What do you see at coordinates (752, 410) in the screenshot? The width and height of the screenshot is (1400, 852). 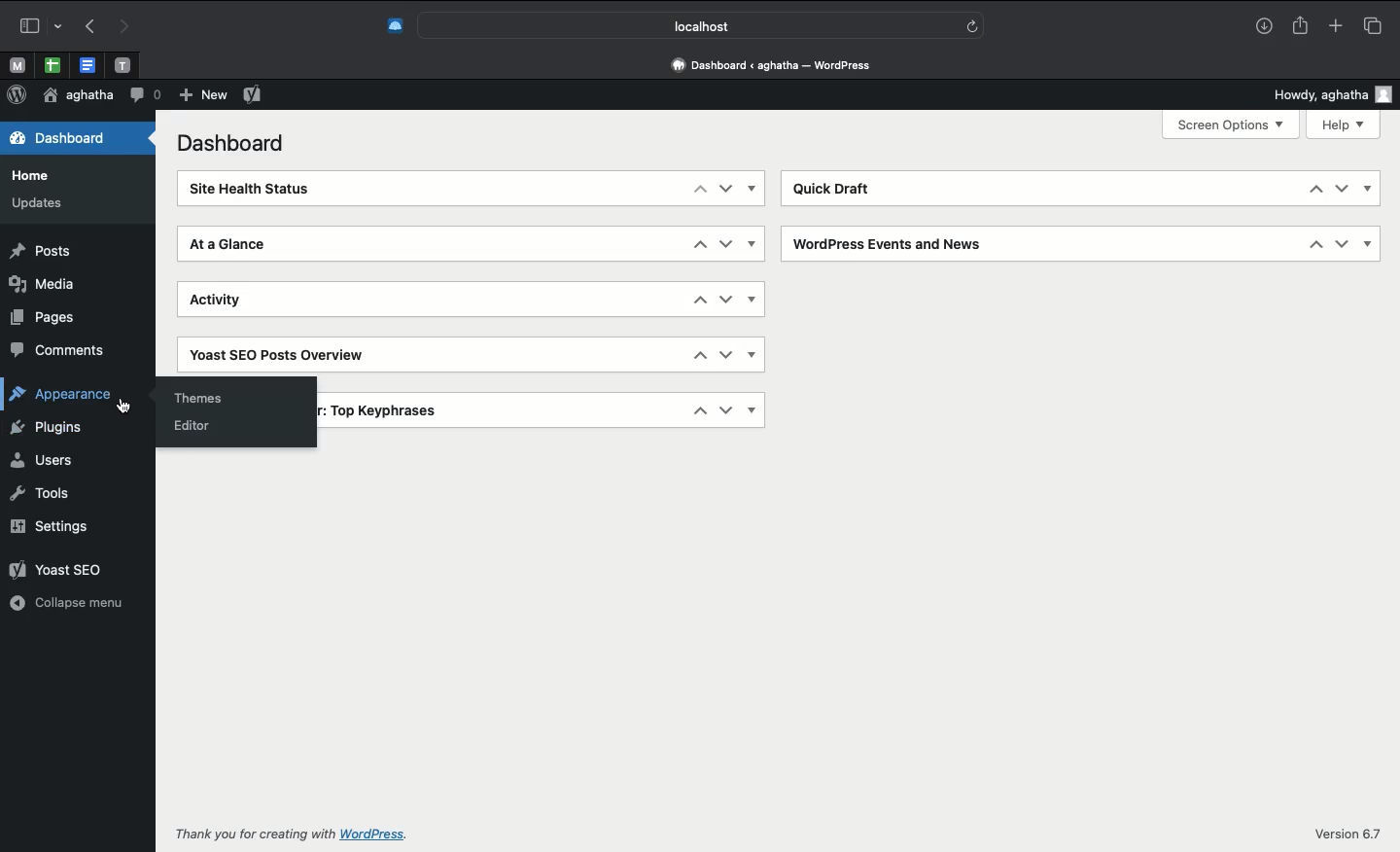 I see `Show` at bounding box center [752, 410].